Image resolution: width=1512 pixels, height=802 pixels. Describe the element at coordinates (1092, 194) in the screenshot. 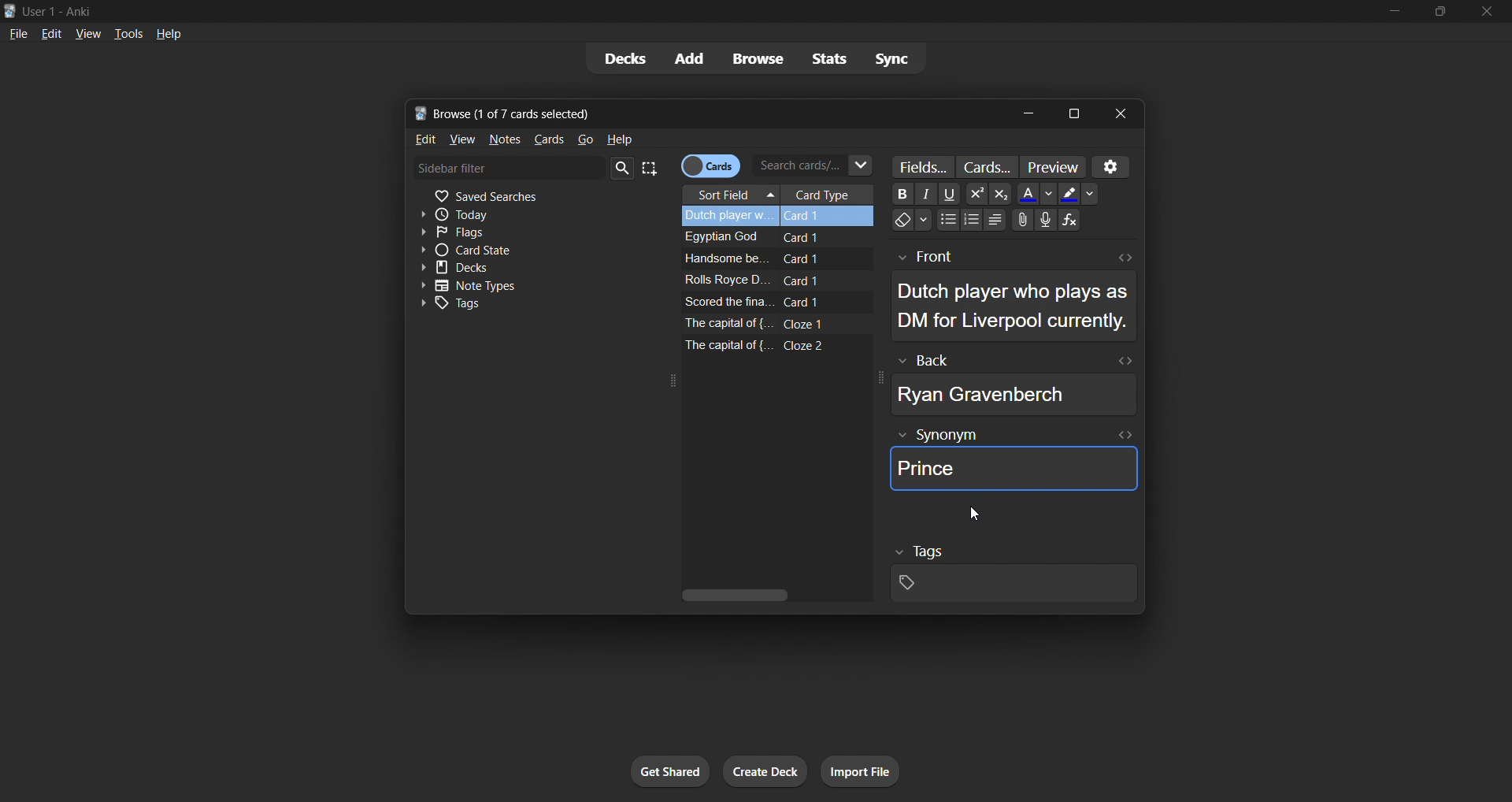

I see `Dropdown` at that location.